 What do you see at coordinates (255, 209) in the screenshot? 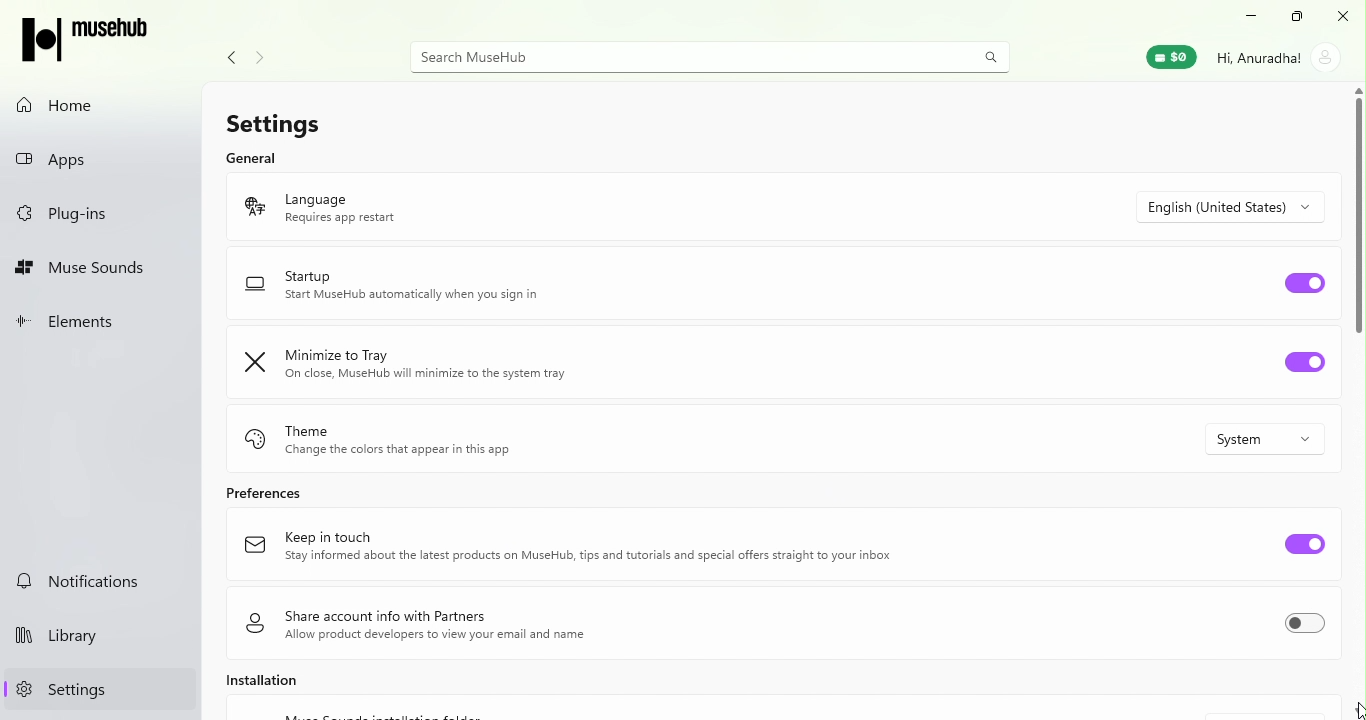
I see `logo` at bounding box center [255, 209].